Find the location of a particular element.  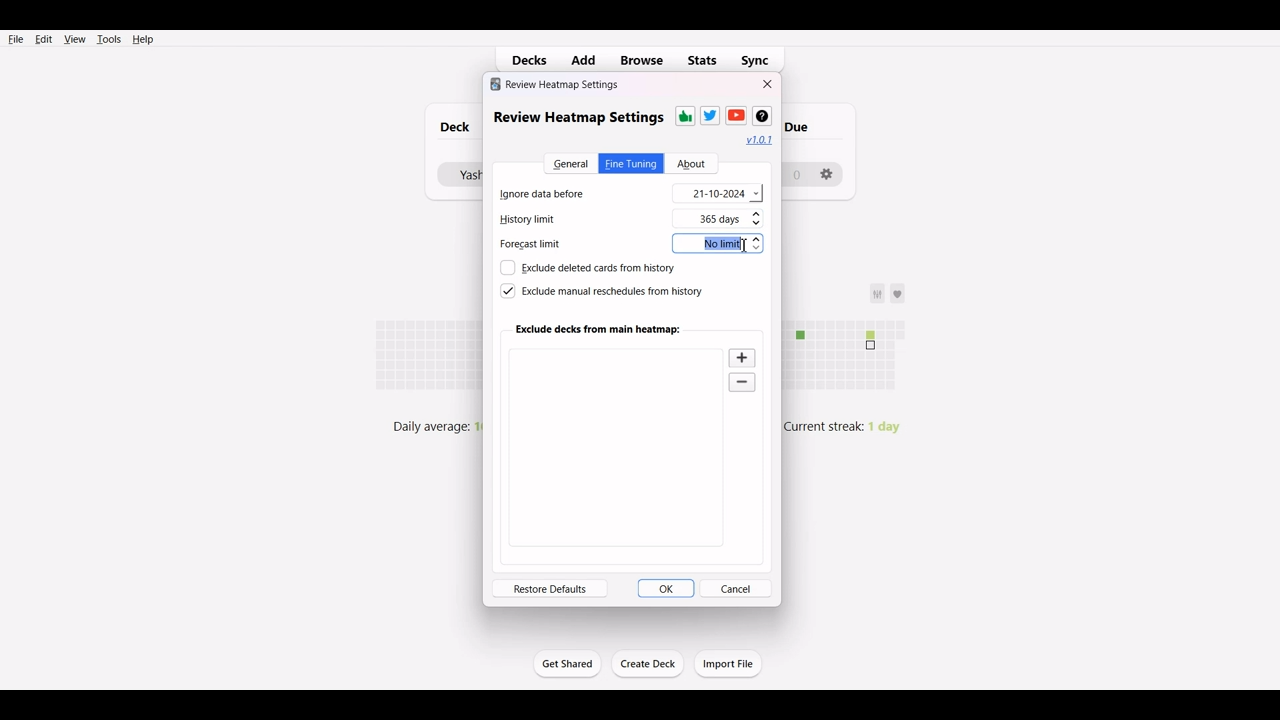

Decks is located at coordinates (525, 60).